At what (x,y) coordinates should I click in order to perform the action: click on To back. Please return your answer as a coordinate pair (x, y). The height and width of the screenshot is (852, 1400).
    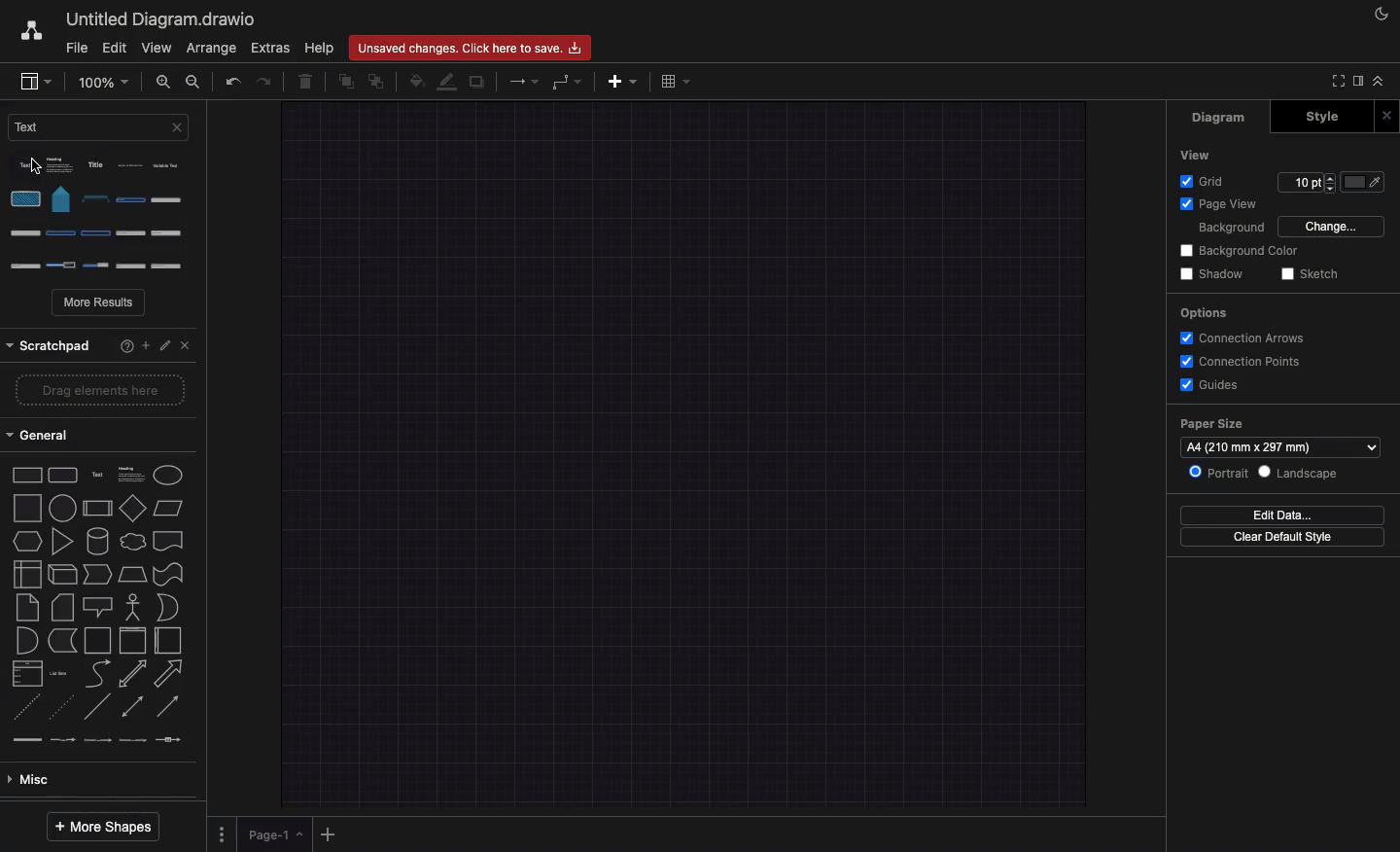
    Looking at the image, I should click on (378, 81).